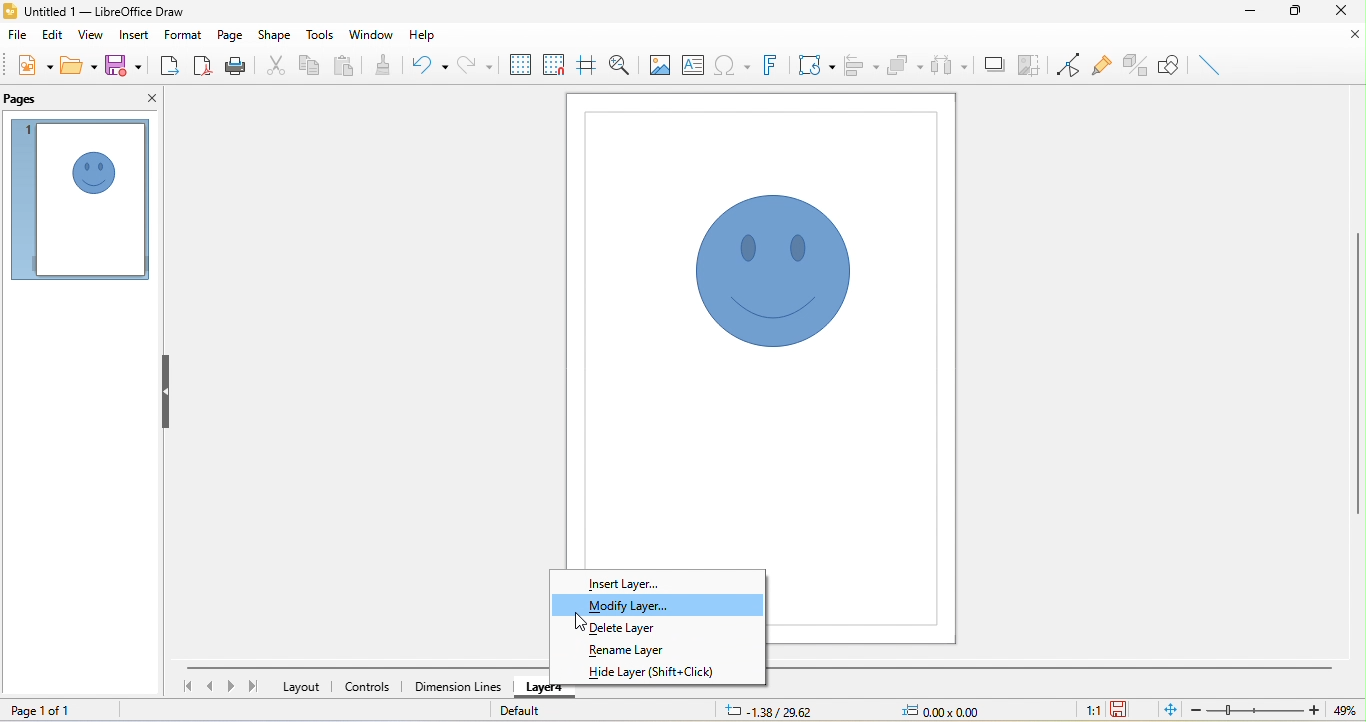 The width and height of the screenshot is (1366, 722). I want to click on copy, so click(308, 66).